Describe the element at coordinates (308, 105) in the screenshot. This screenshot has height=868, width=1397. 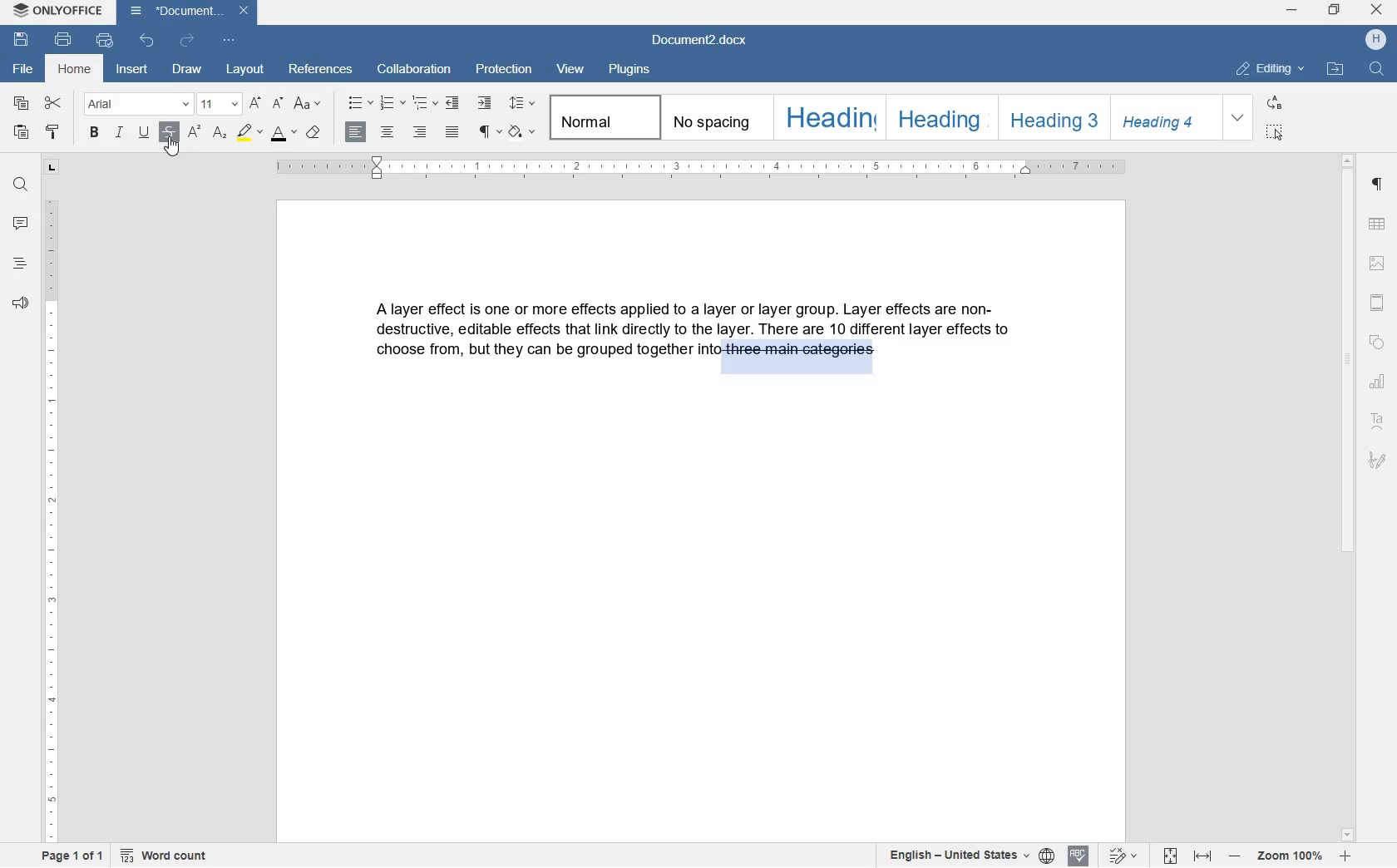
I see `change case` at that location.